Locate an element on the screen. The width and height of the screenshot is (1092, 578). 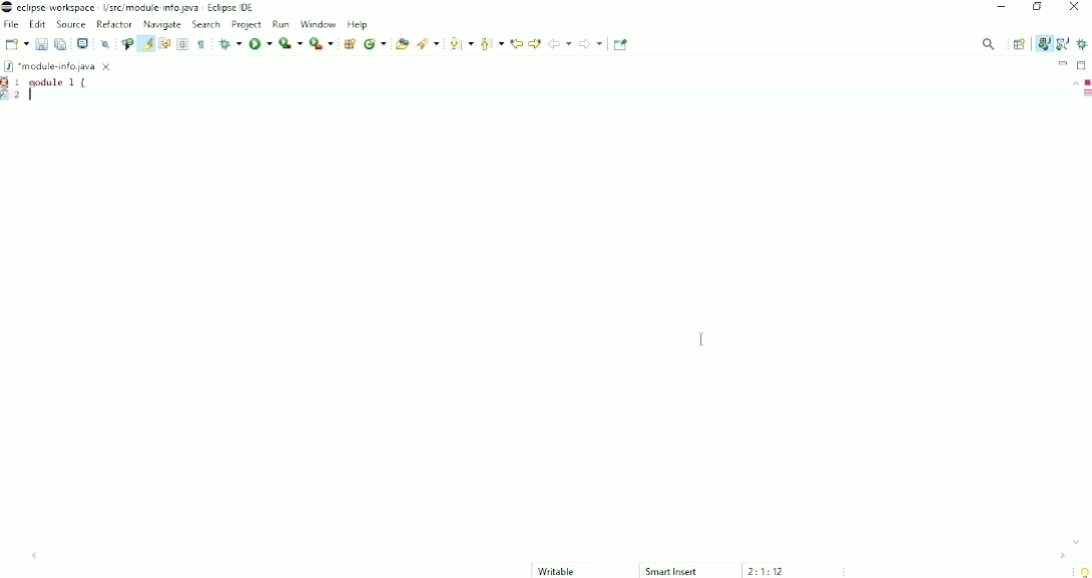
New java package is located at coordinates (349, 44).